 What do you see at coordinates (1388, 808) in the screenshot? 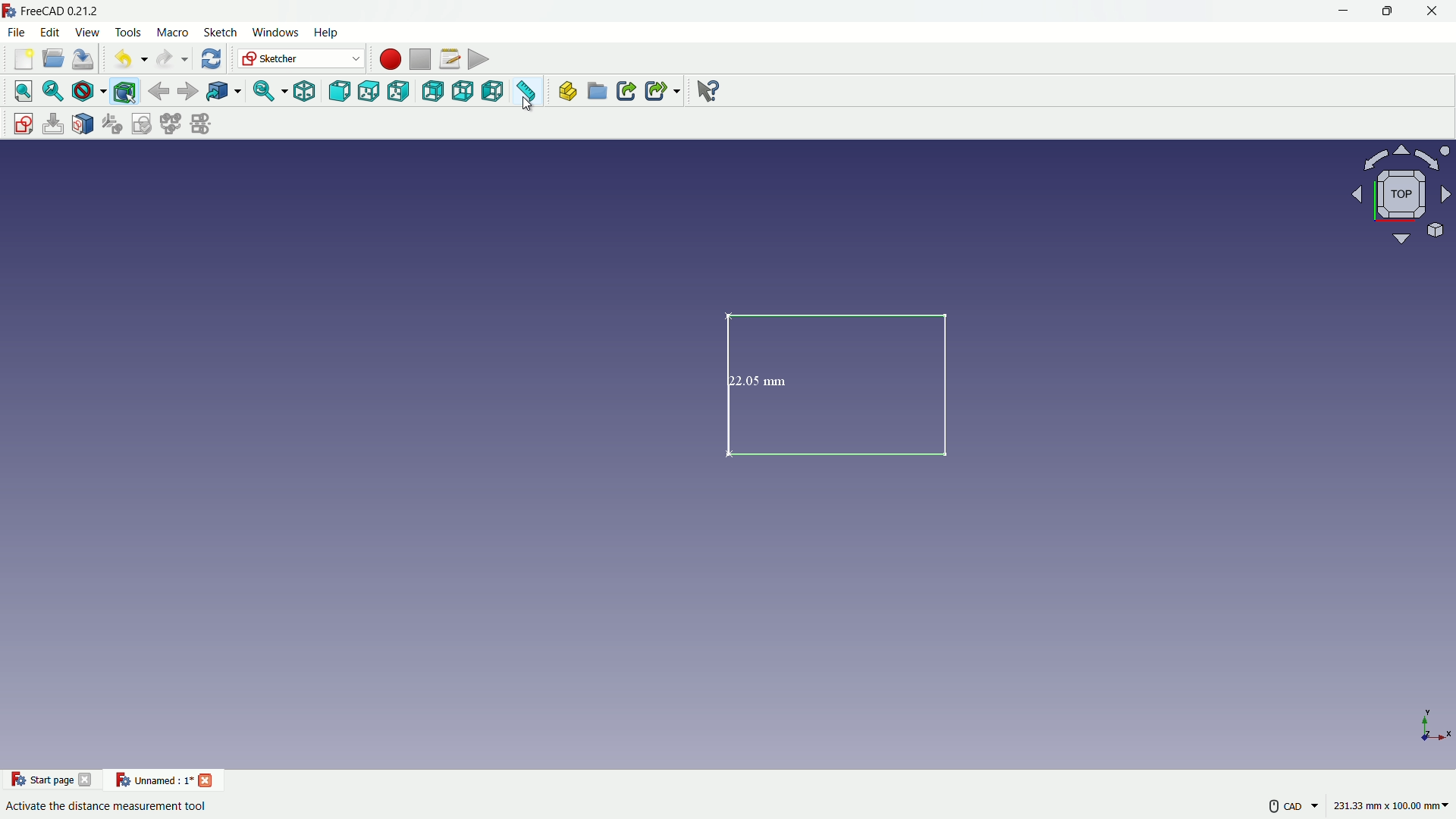
I see `measuring unit` at bounding box center [1388, 808].